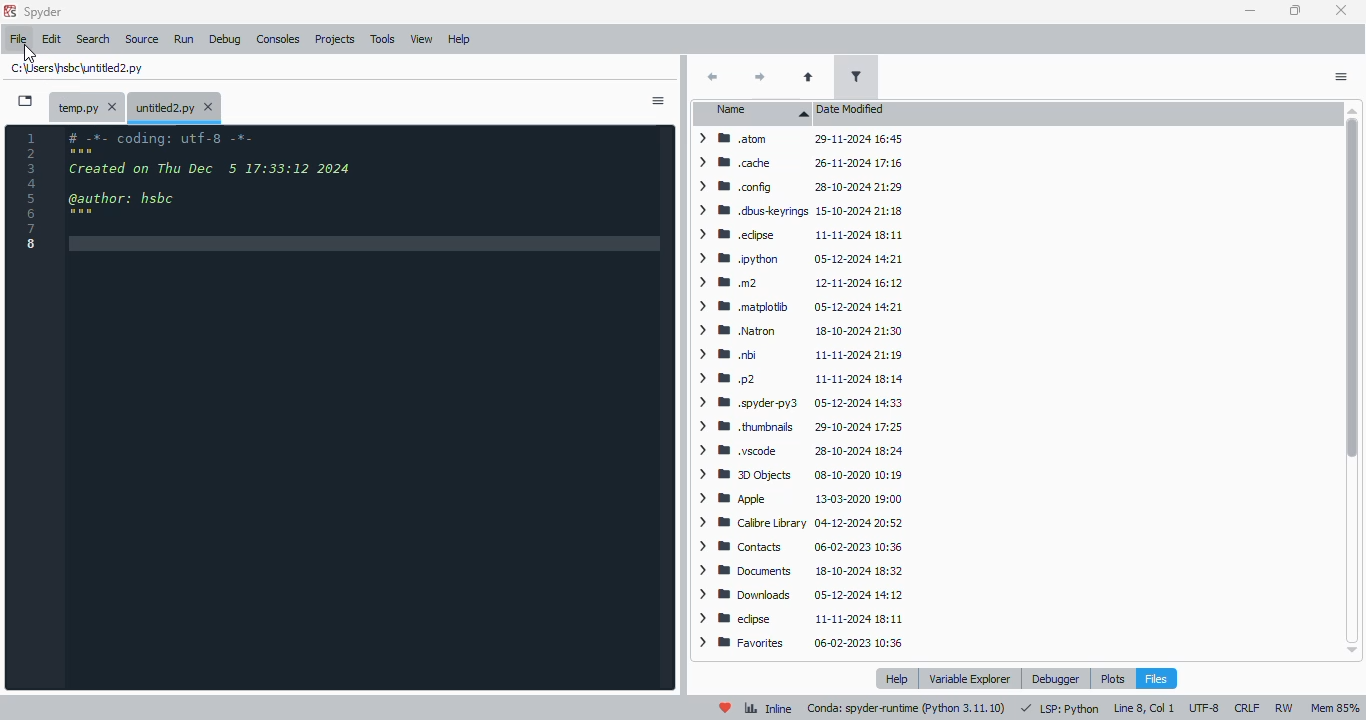  I want to click on > Wm bi 11-11-2024 21:19, so click(799, 354).